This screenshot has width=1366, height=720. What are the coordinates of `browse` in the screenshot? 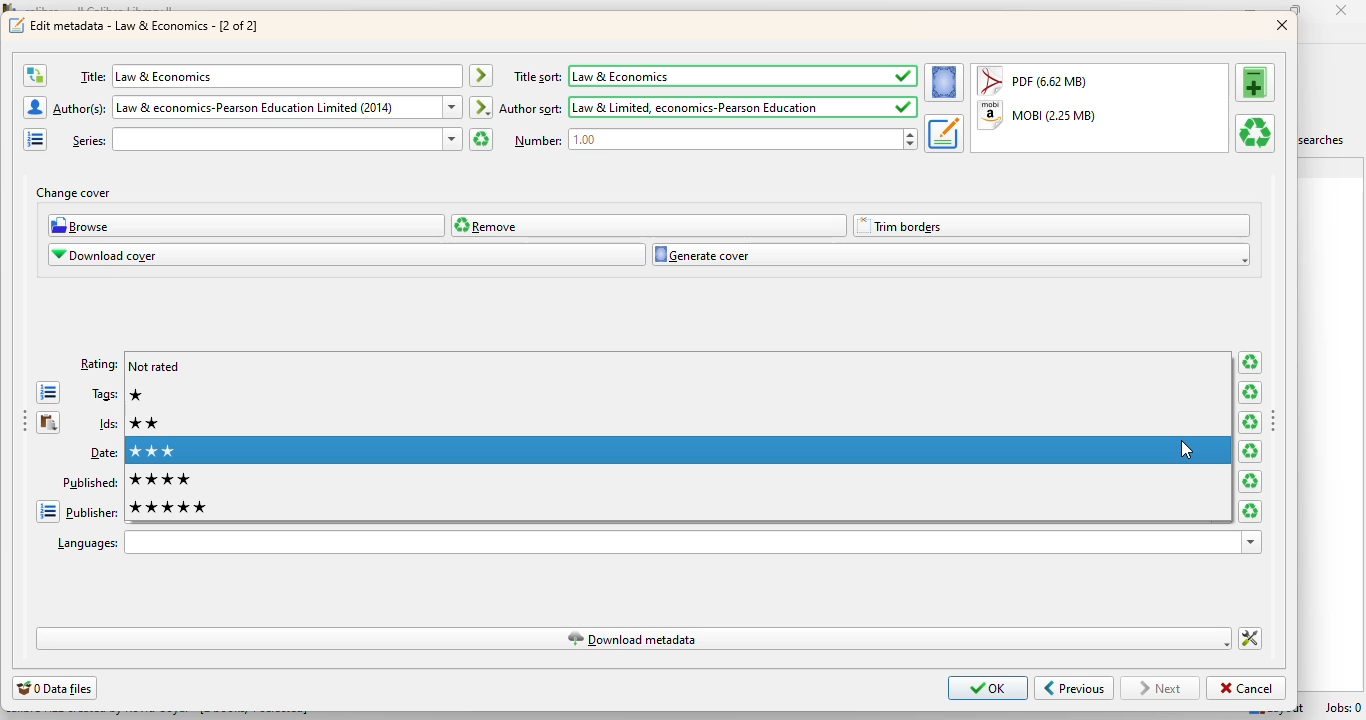 It's located at (247, 226).